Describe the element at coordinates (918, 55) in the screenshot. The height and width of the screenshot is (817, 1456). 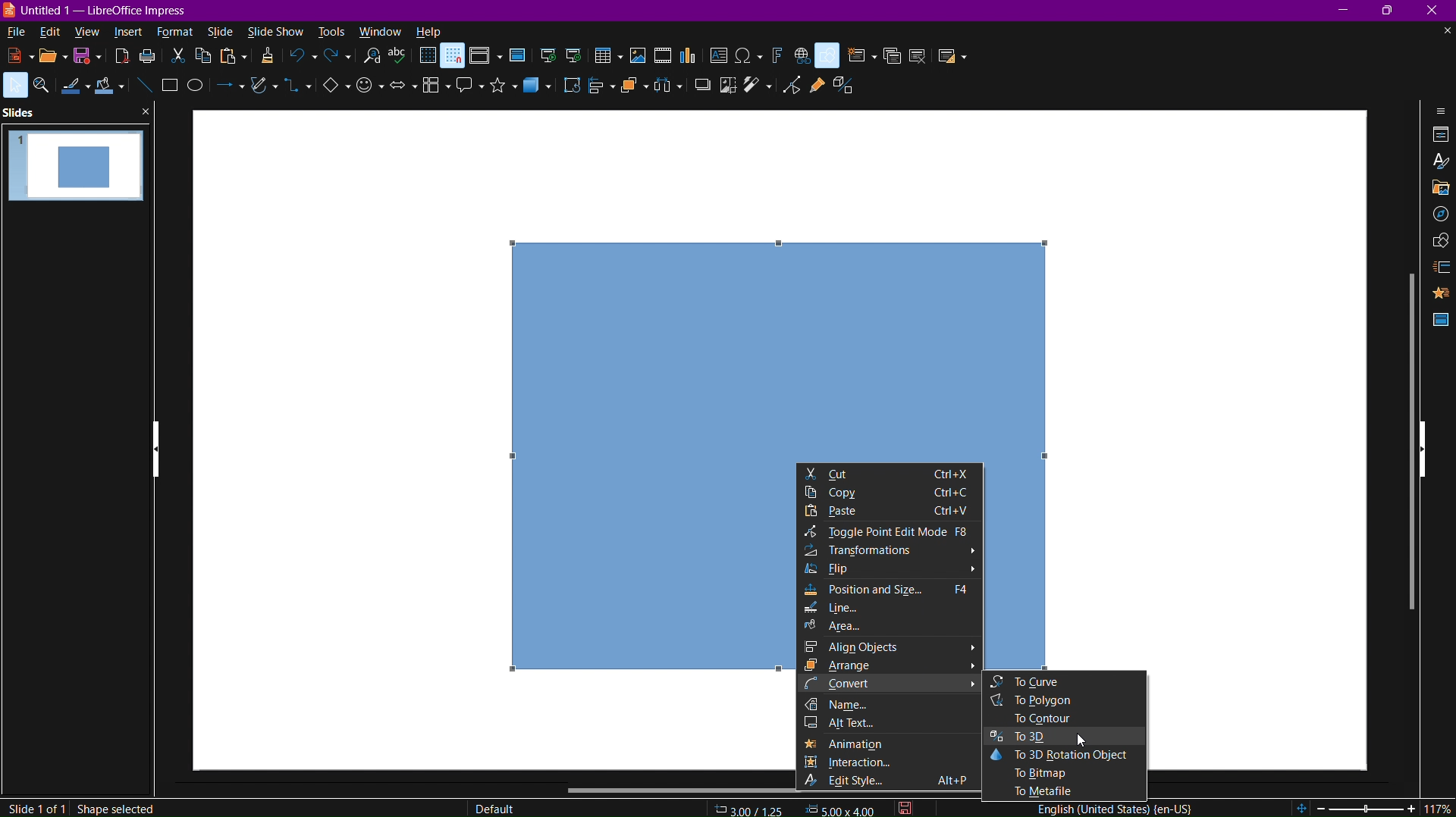
I see `Delete Slide` at that location.